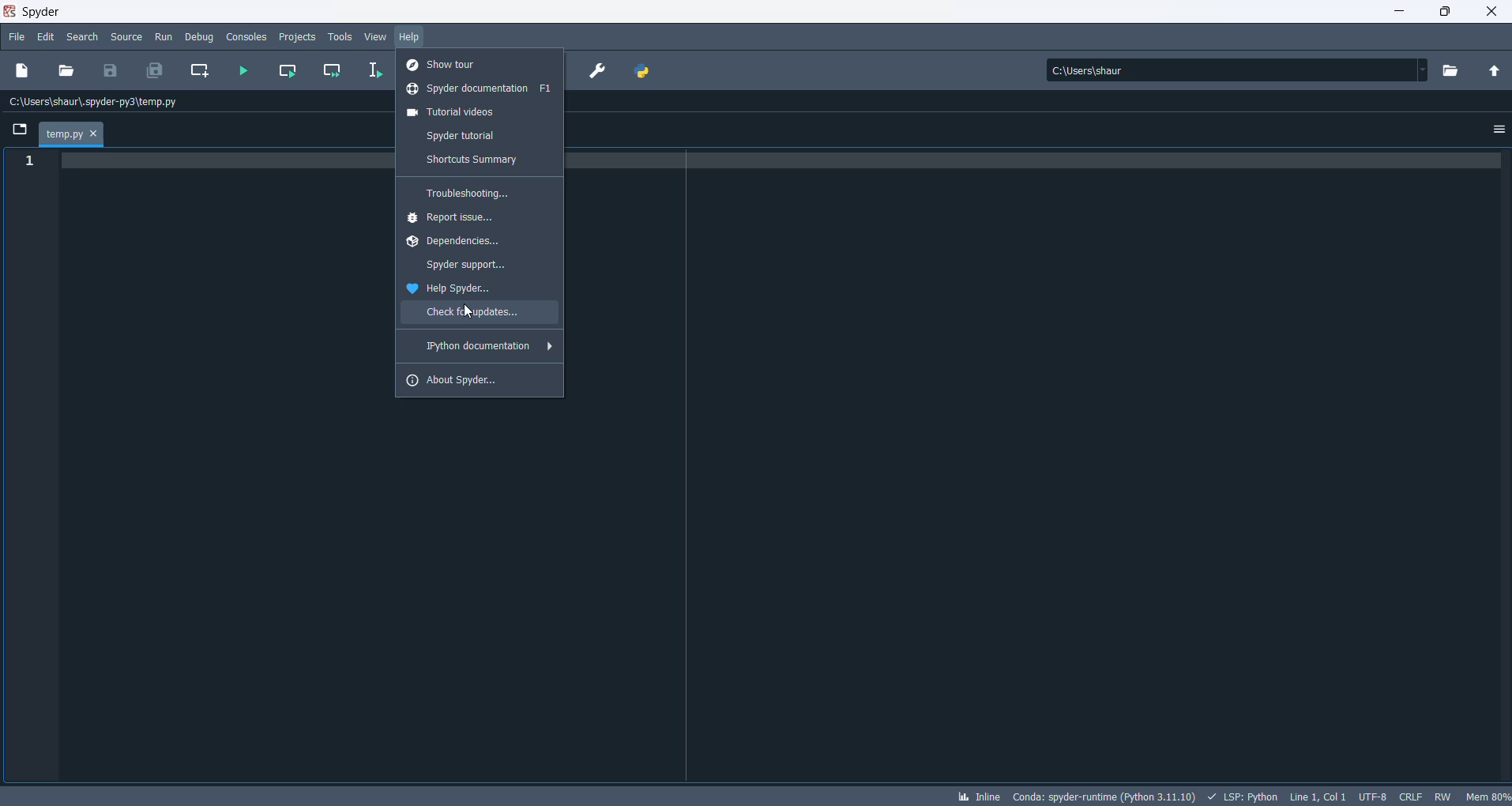 The width and height of the screenshot is (1512, 806). I want to click on parent directory, so click(1494, 70).